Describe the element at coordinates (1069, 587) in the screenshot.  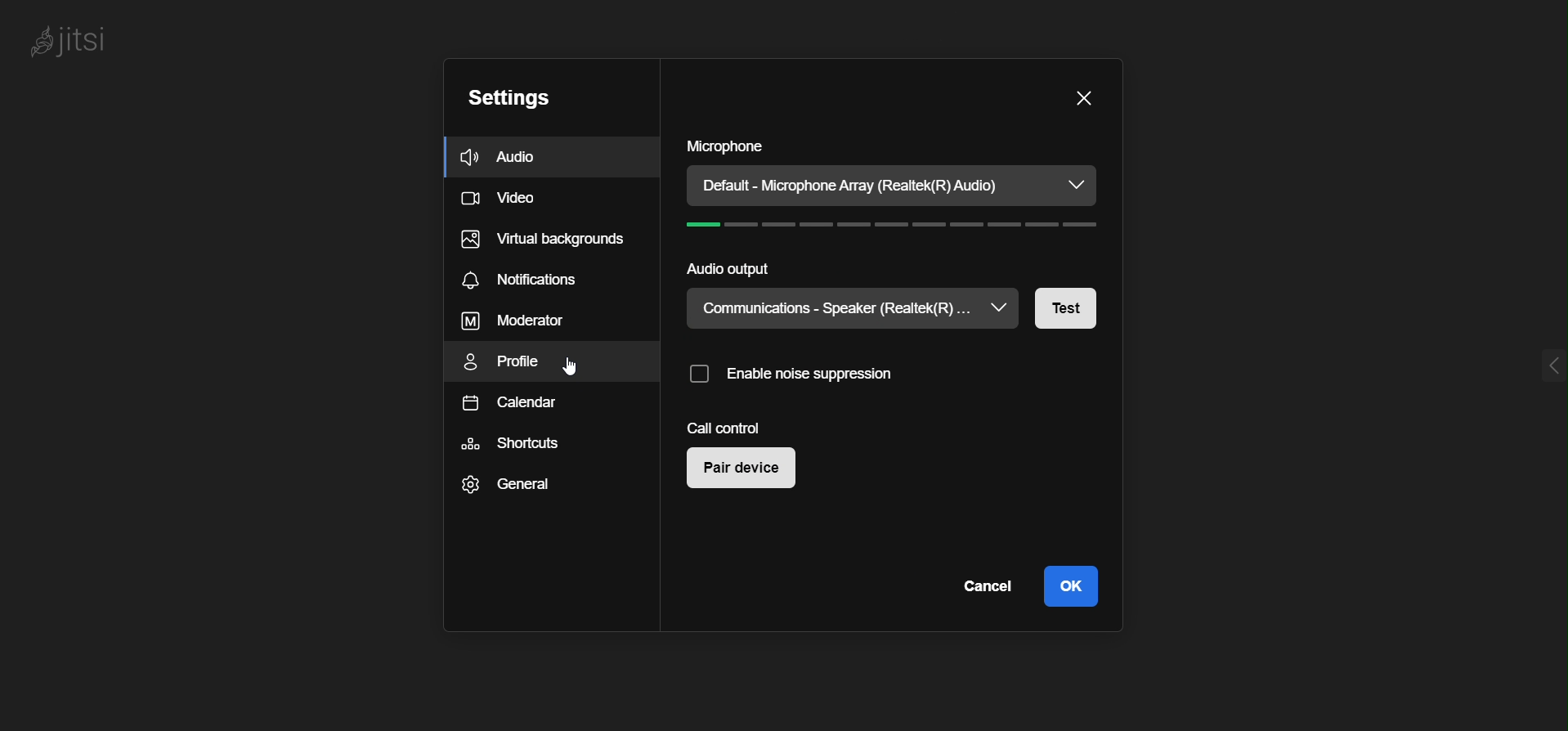
I see `ok` at that location.